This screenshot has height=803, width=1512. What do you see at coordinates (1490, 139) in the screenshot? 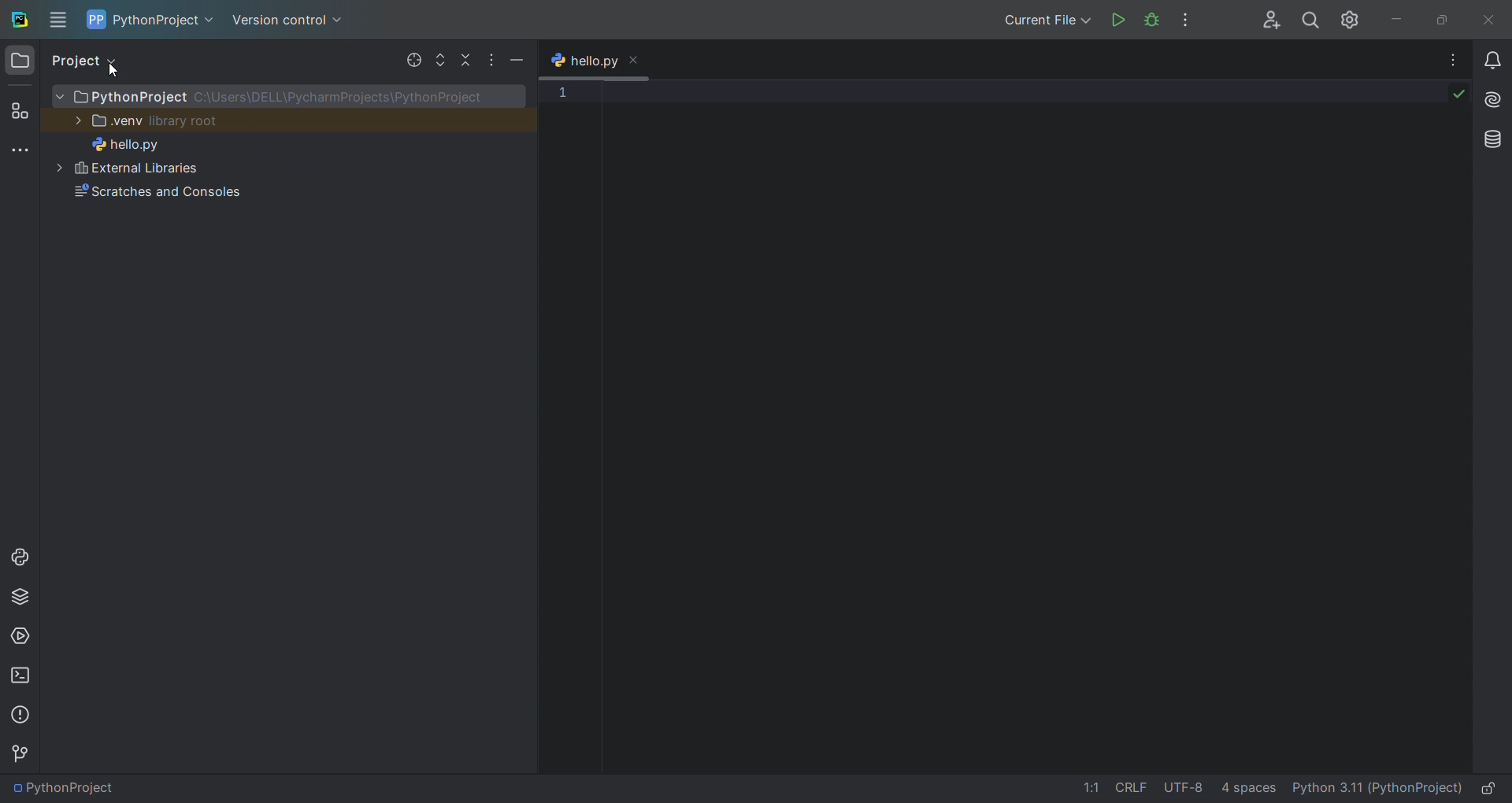
I see `database` at bounding box center [1490, 139].